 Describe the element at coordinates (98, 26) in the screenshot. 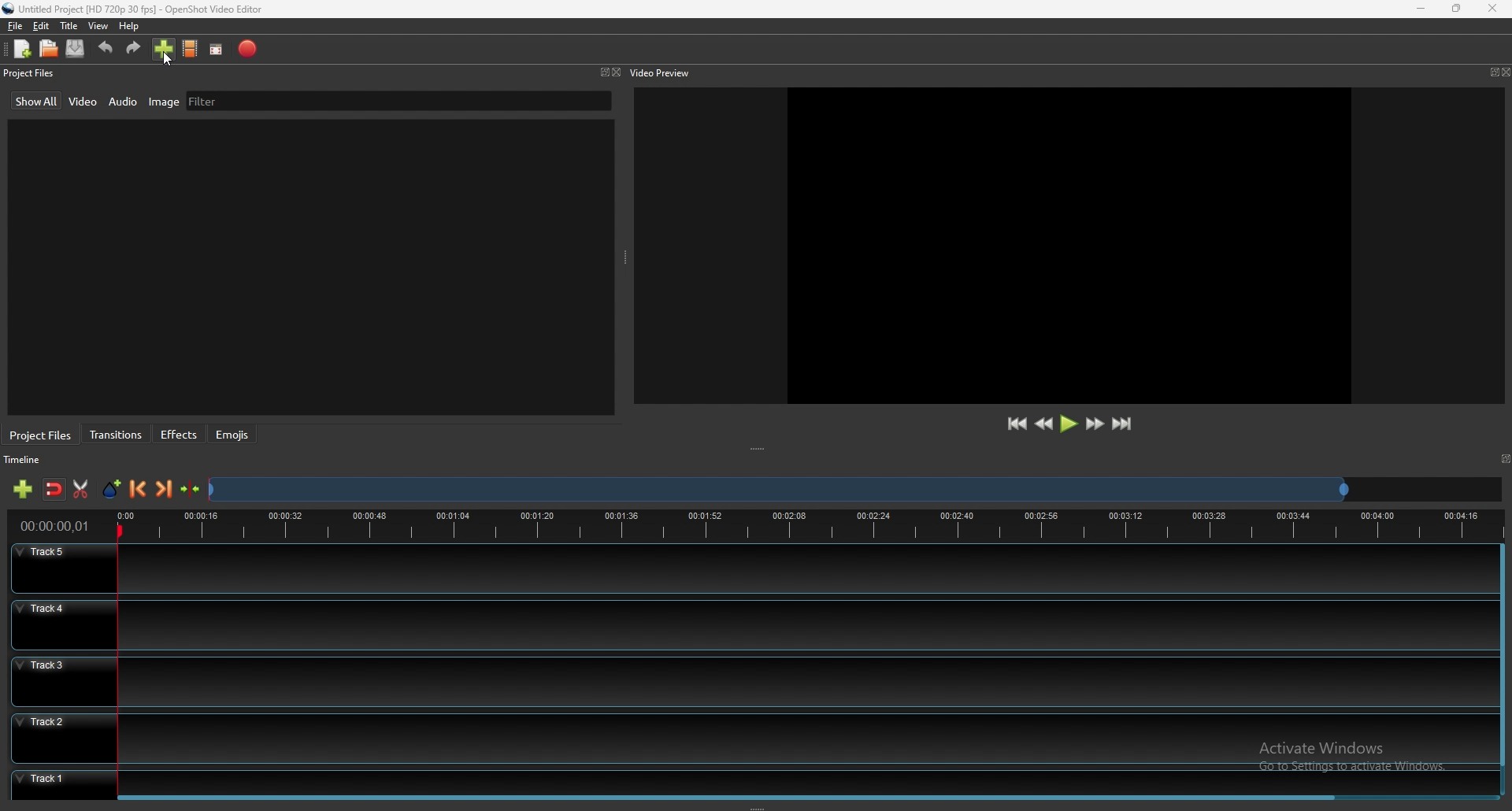

I see `view` at that location.